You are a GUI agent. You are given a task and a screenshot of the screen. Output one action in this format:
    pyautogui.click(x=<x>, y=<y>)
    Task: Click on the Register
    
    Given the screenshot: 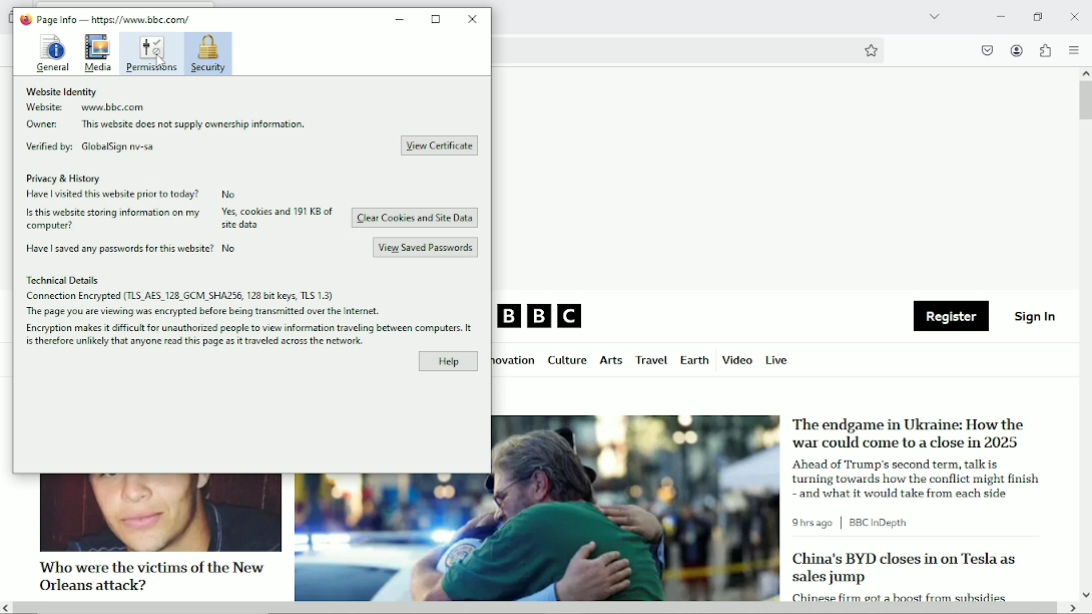 What is the action you would take?
    pyautogui.click(x=951, y=317)
    